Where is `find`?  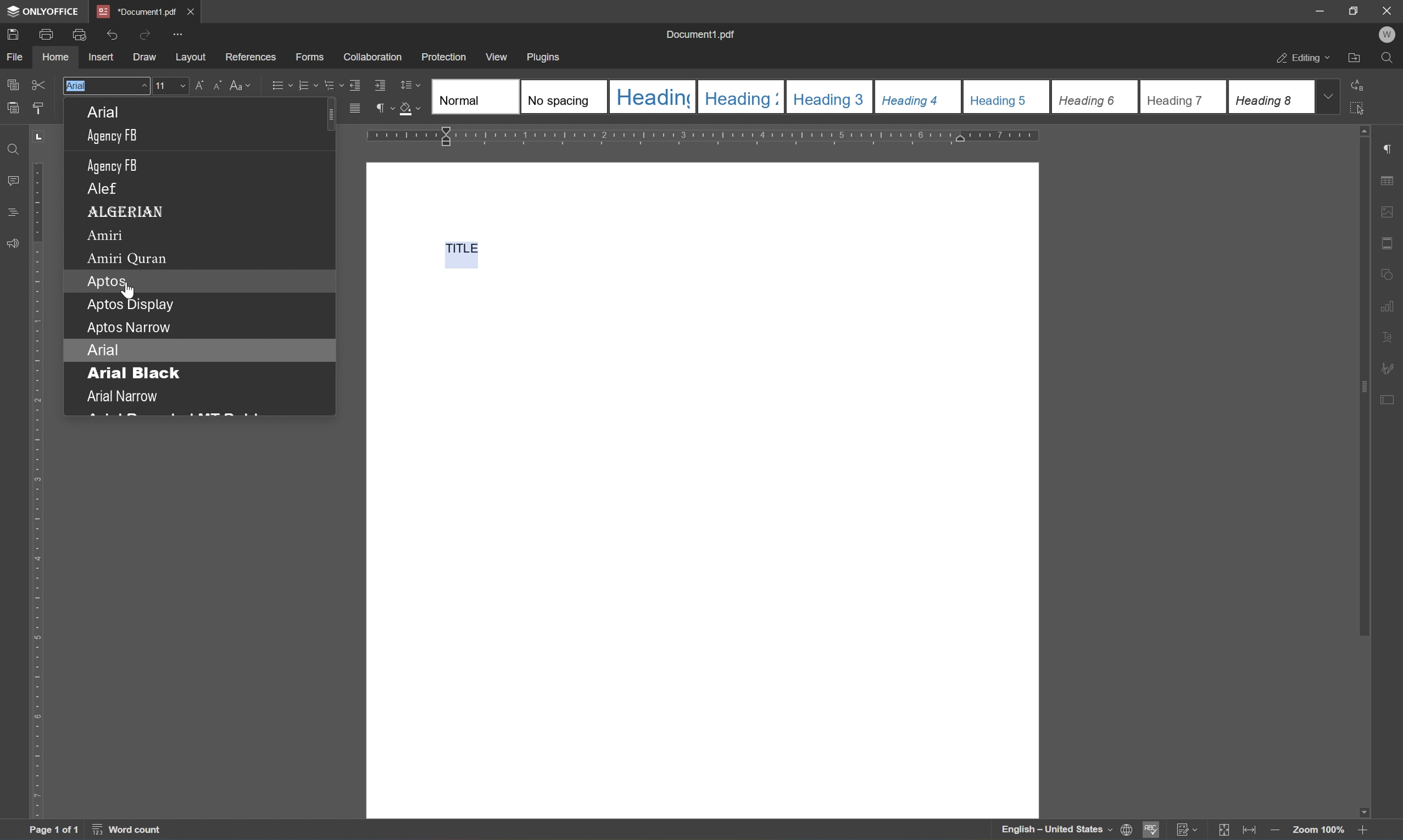
find is located at coordinates (16, 149).